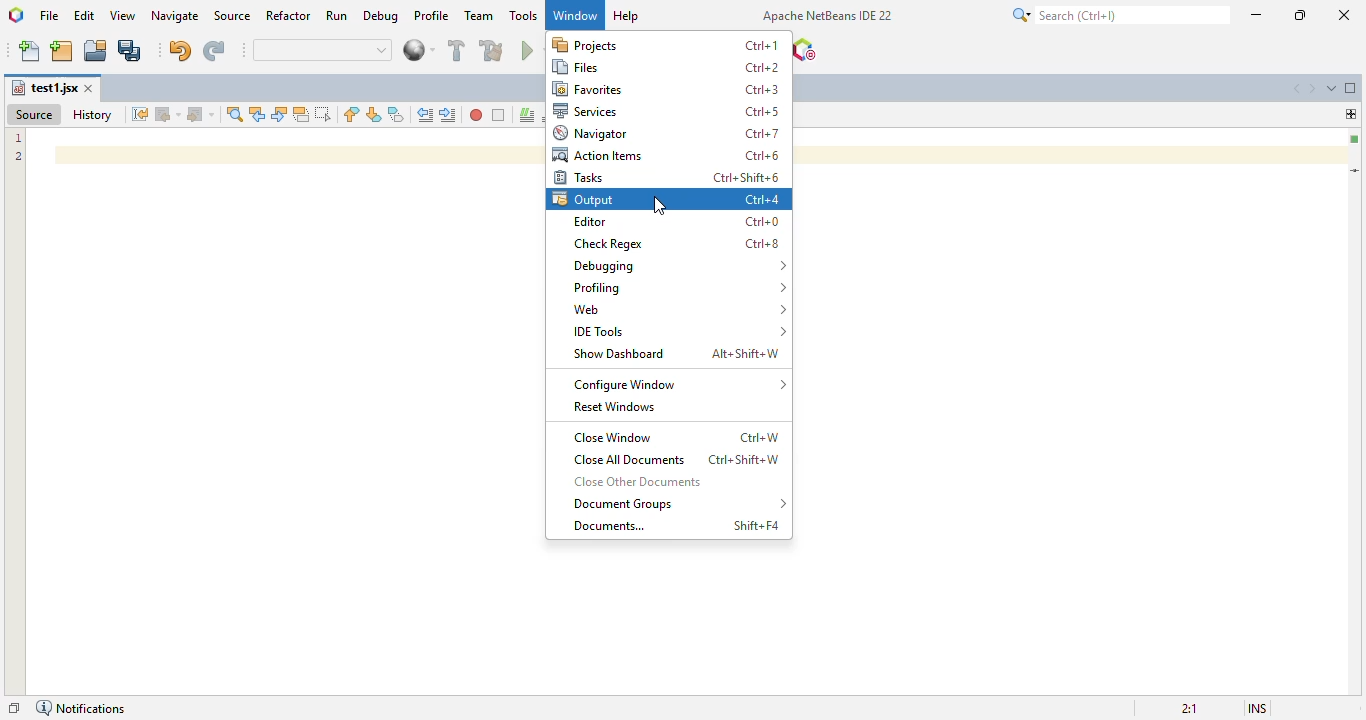  I want to click on Action items Ctrl + 6, so click(667, 155).